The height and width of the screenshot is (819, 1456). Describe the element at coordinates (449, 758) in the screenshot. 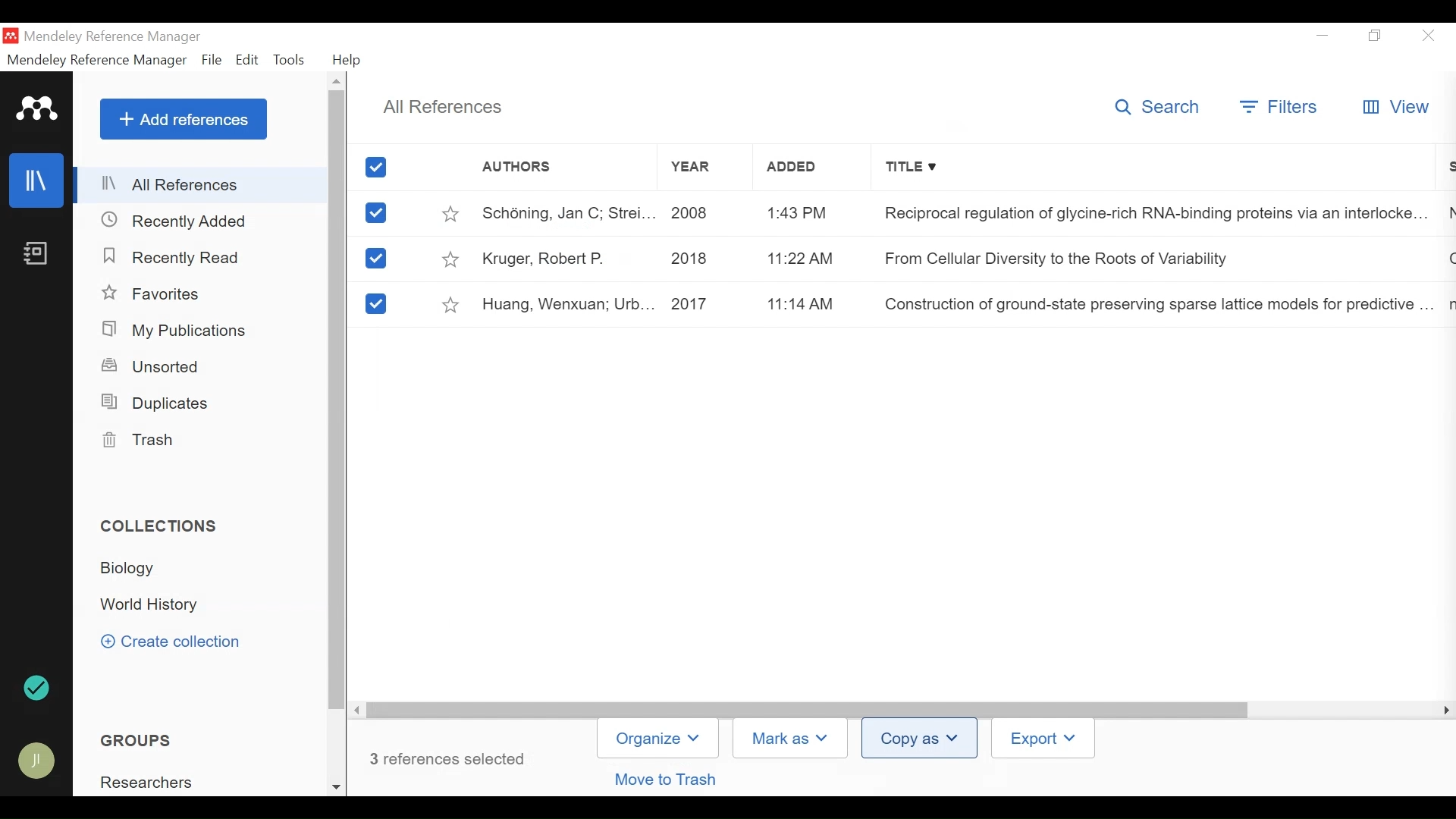

I see `Number of references selected` at that location.